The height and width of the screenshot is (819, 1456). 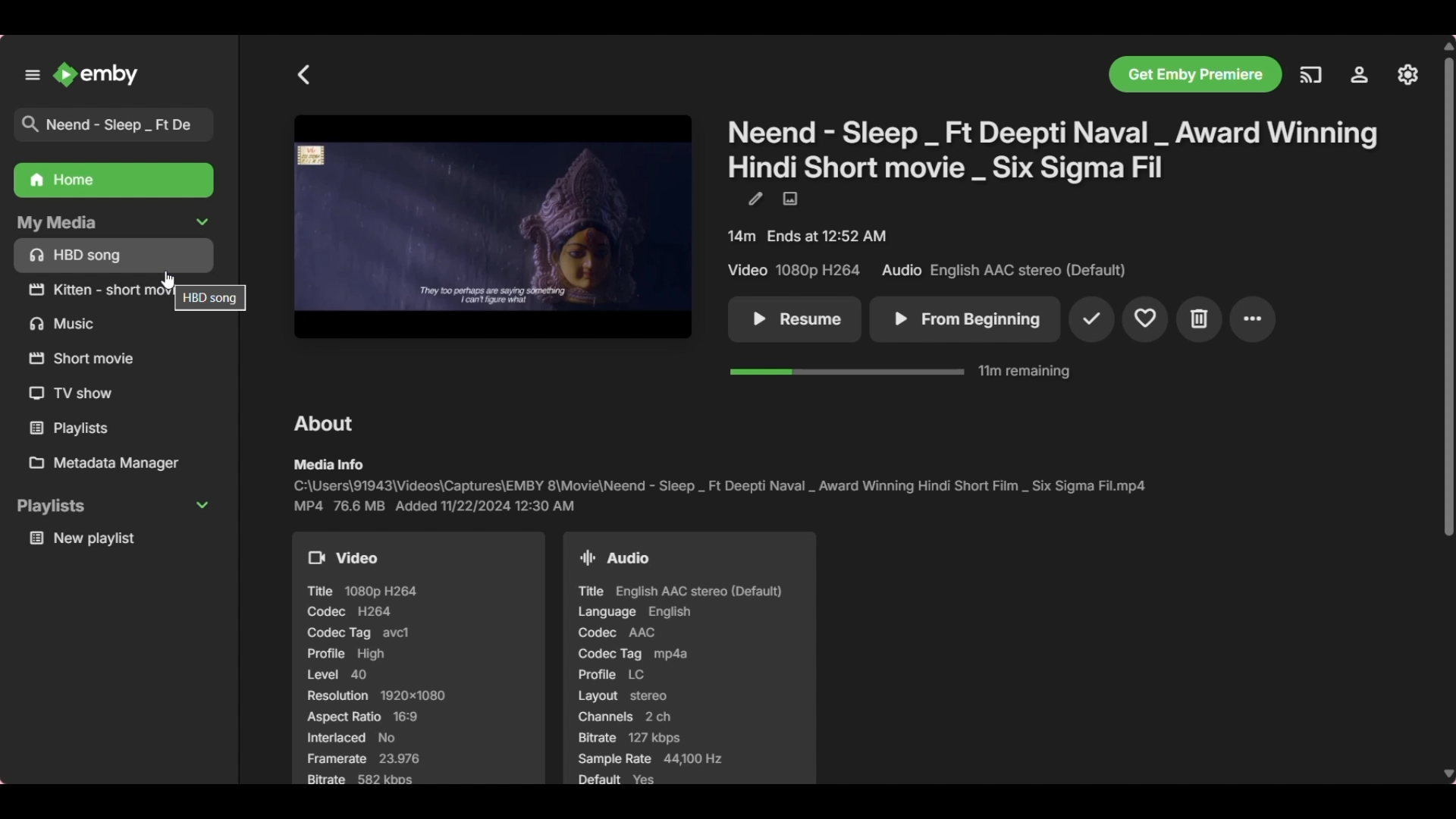 What do you see at coordinates (96, 74) in the screenshot?
I see `Go to home` at bounding box center [96, 74].